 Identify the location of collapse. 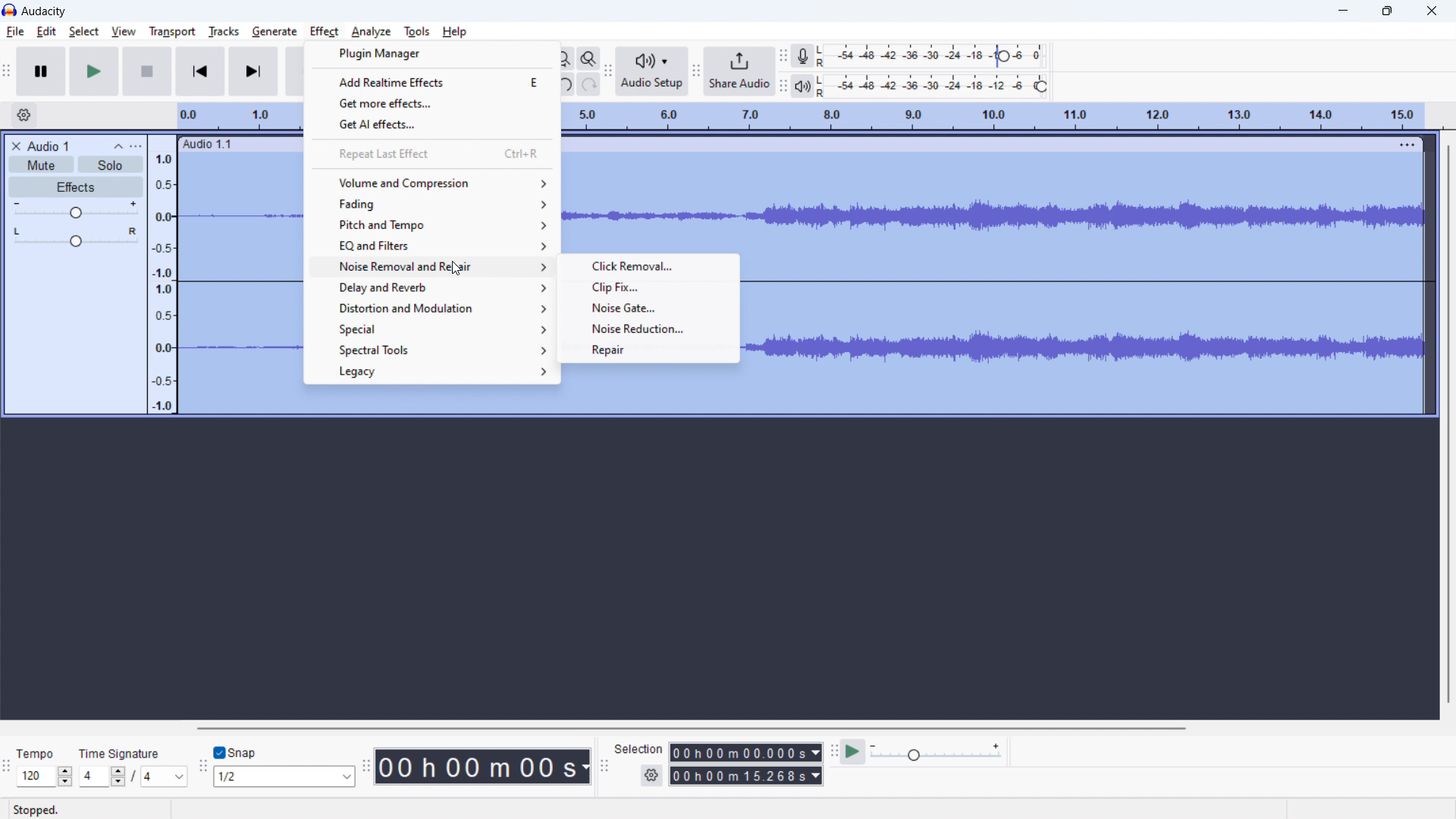
(117, 146).